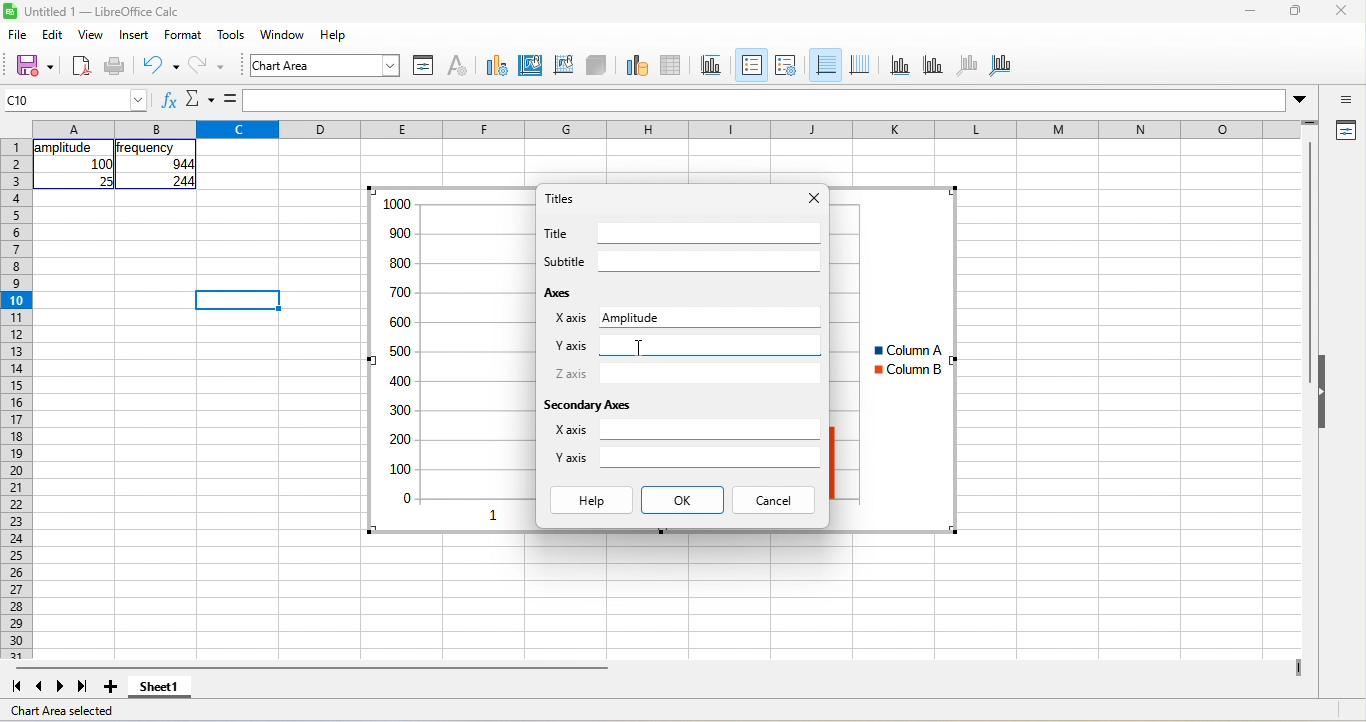 This screenshot has height=722, width=1366. What do you see at coordinates (231, 34) in the screenshot?
I see `tools` at bounding box center [231, 34].